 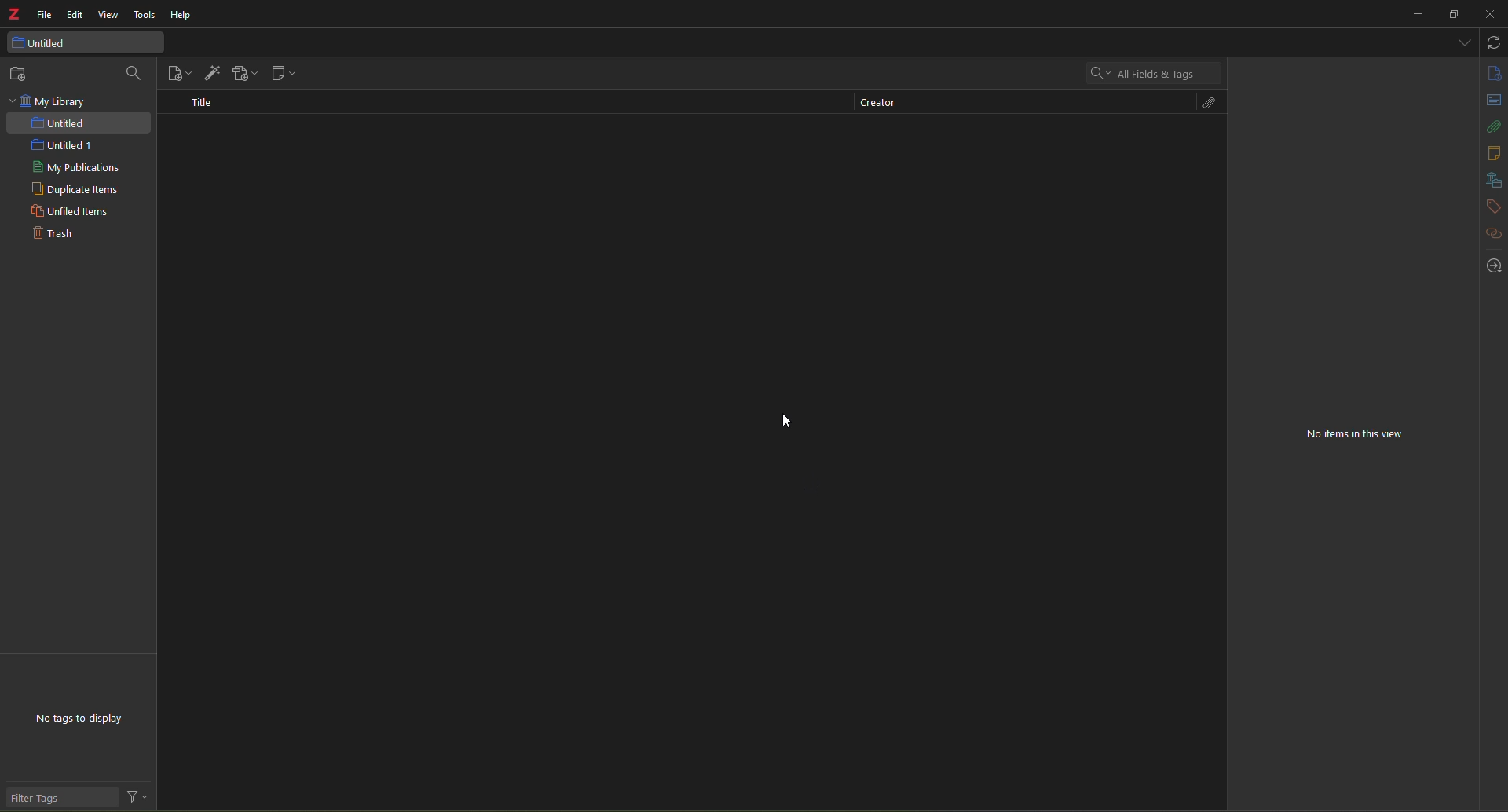 I want to click on untitled, so click(x=60, y=123).